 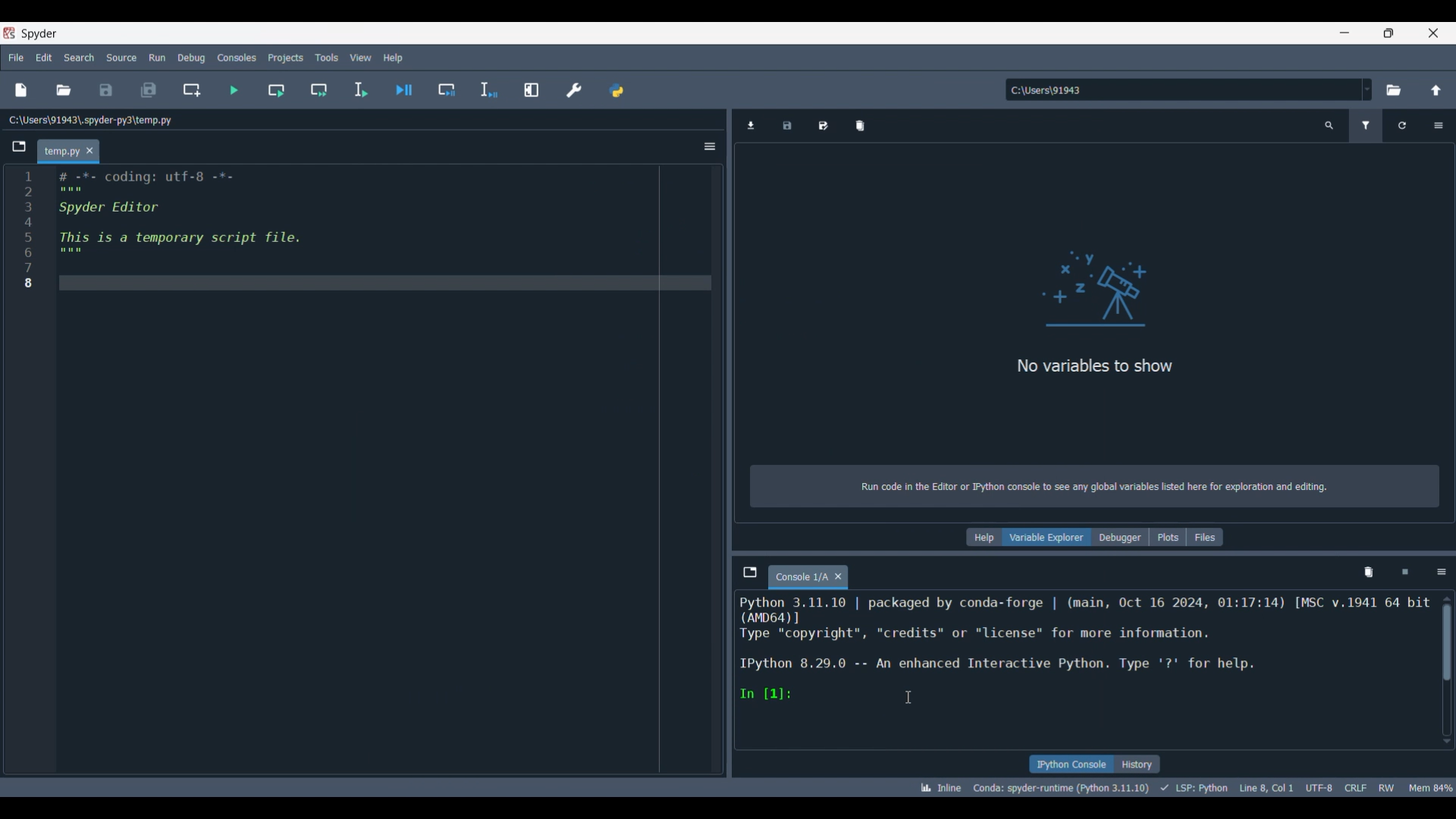 I want to click on Debug file, so click(x=404, y=91).